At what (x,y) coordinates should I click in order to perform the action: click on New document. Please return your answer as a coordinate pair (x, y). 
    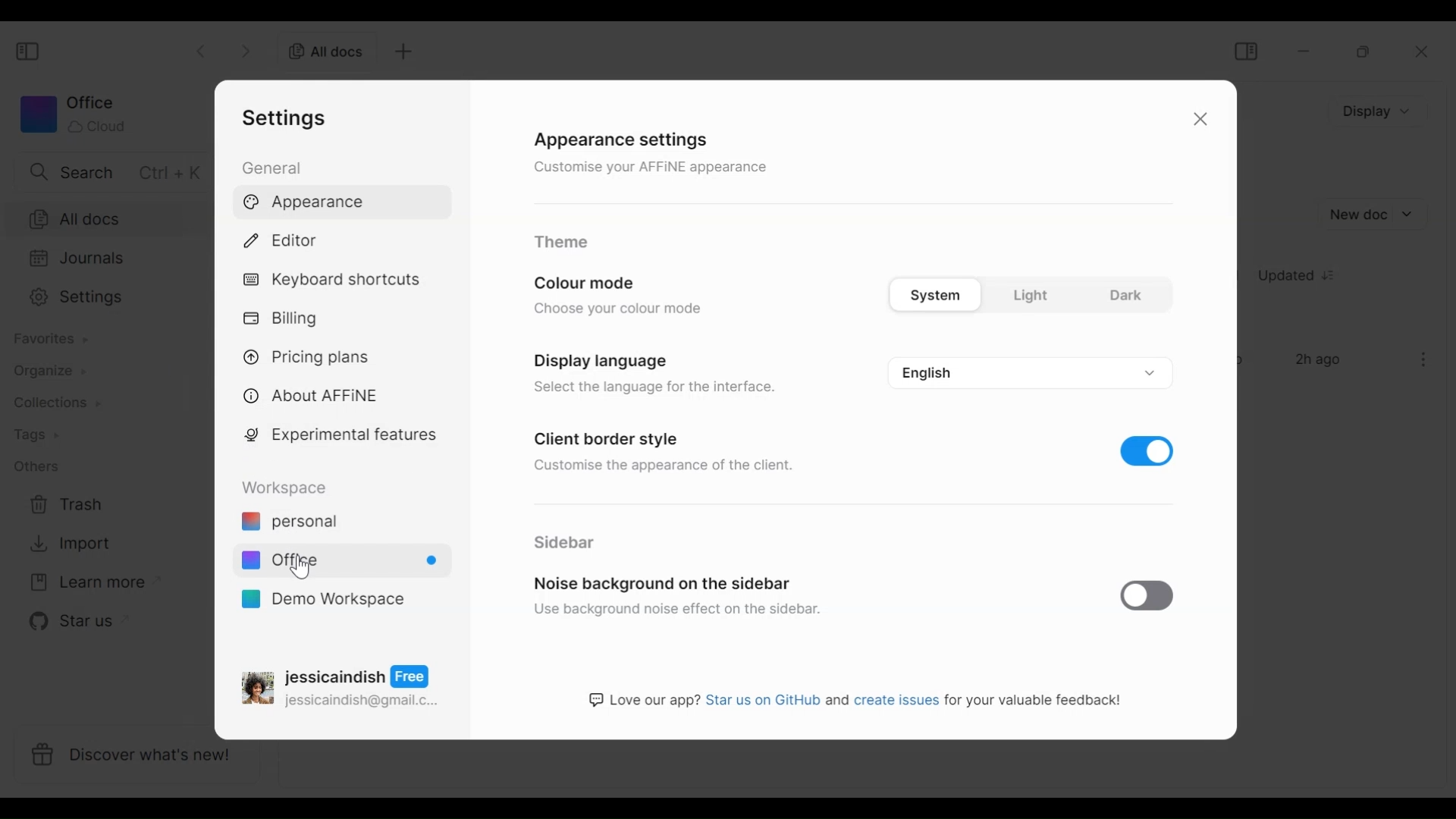
    Looking at the image, I should click on (1372, 215).